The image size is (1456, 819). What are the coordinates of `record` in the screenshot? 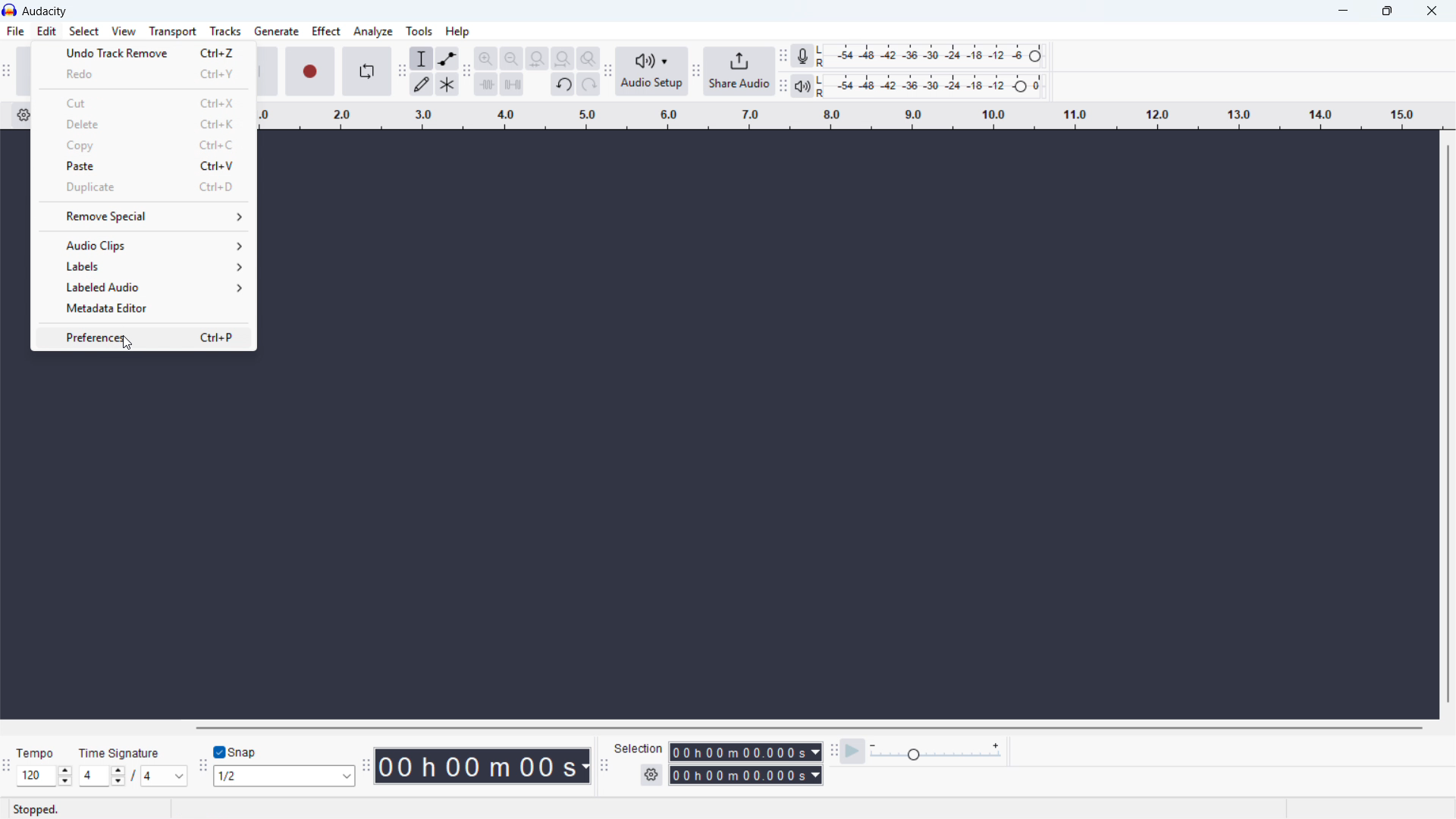 It's located at (309, 71).